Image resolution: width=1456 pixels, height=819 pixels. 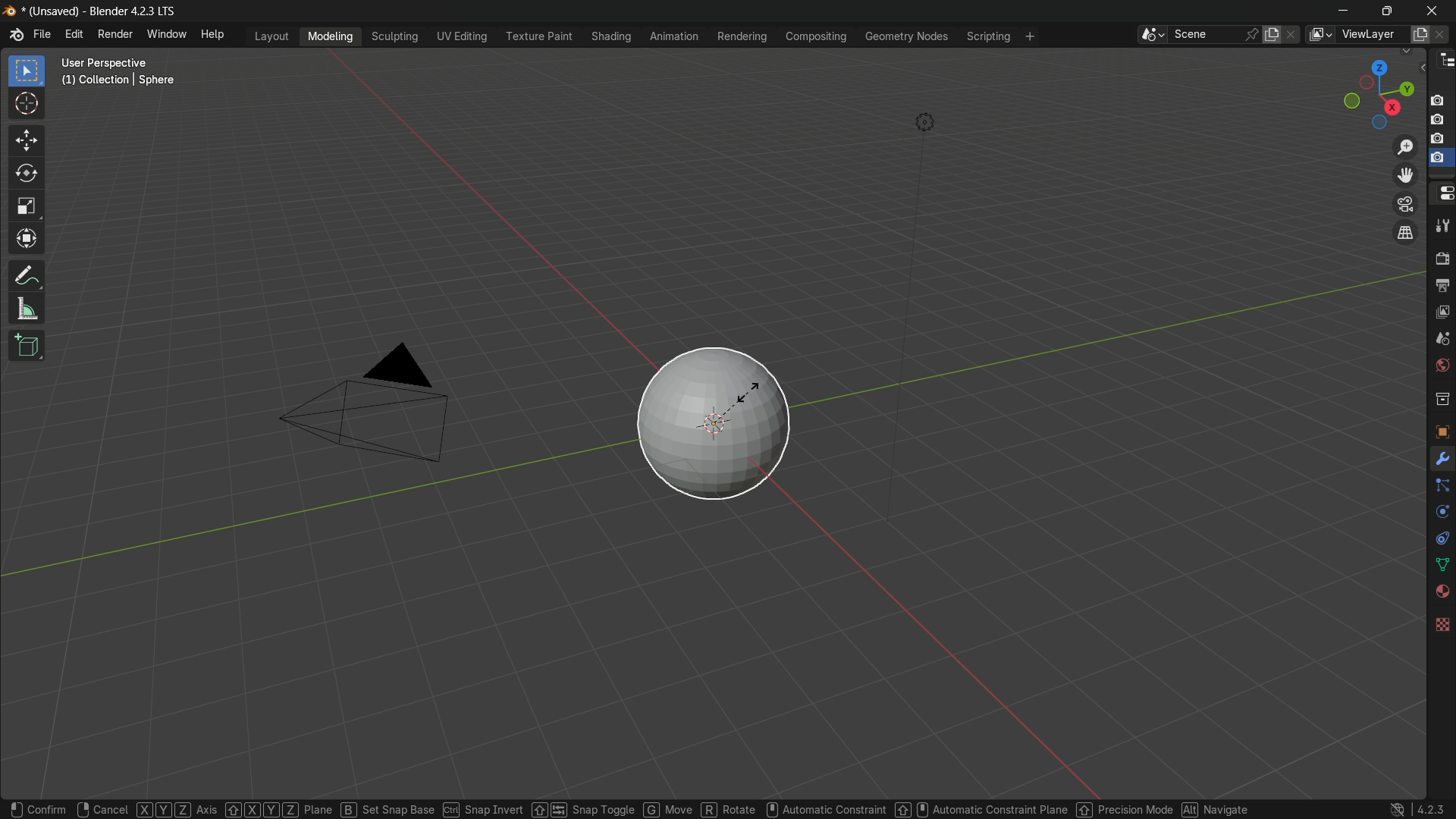 I want to click on constraint, so click(x=1441, y=538).